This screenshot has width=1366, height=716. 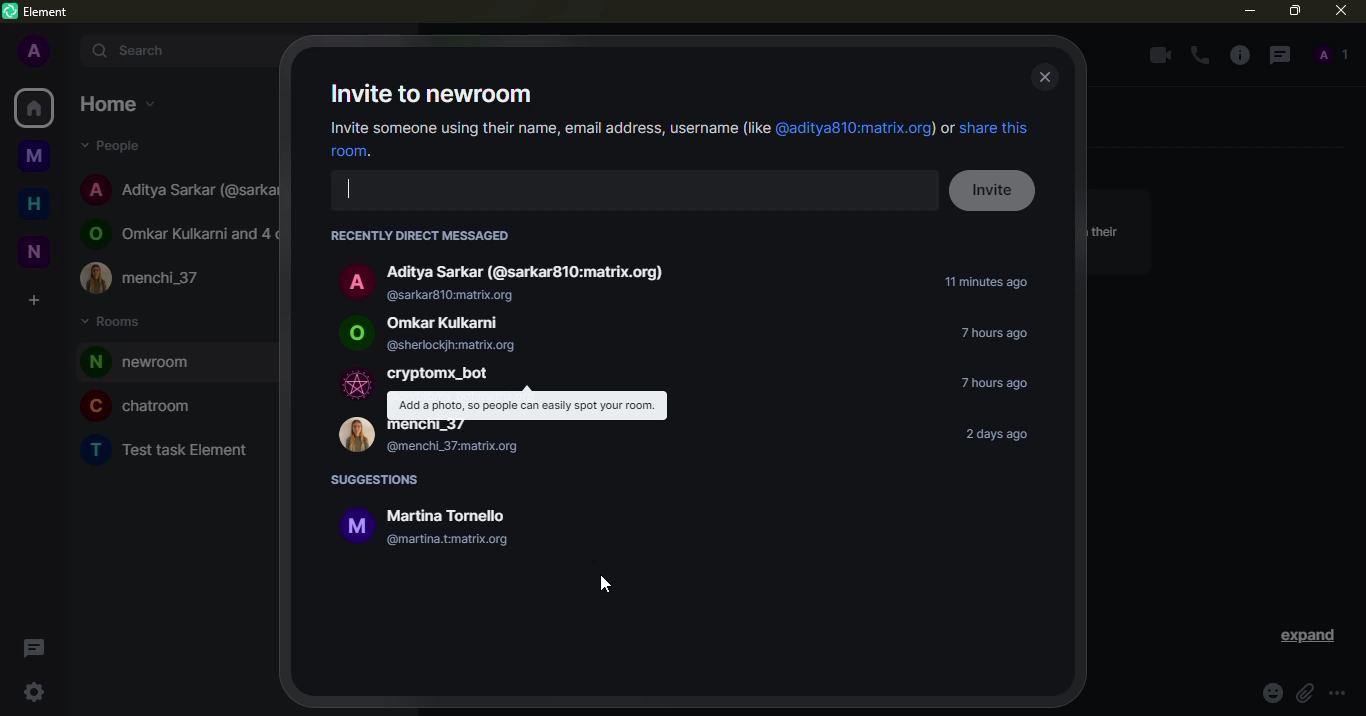 What do you see at coordinates (993, 189) in the screenshot?
I see `invite` at bounding box center [993, 189].